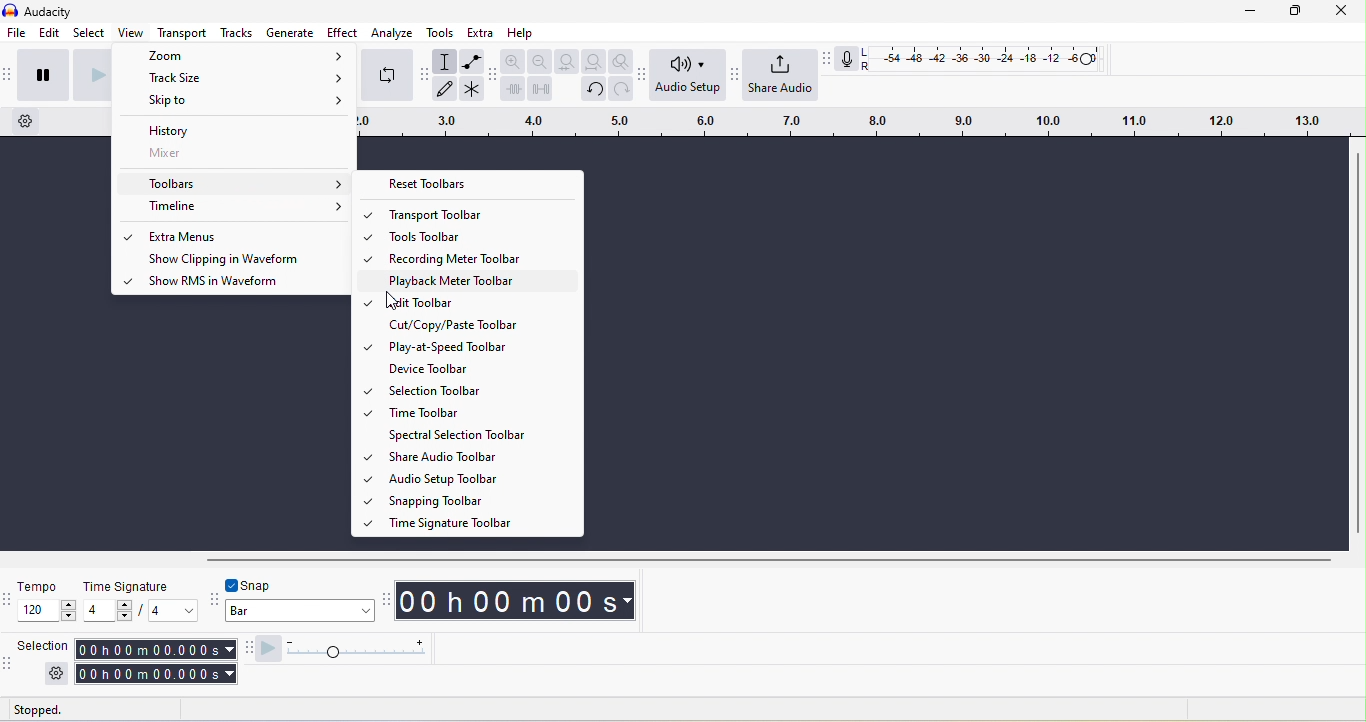 This screenshot has width=1366, height=722. Describe the element at coordinates (57, 674) in the screenshot. I see `selection settings` at that location.